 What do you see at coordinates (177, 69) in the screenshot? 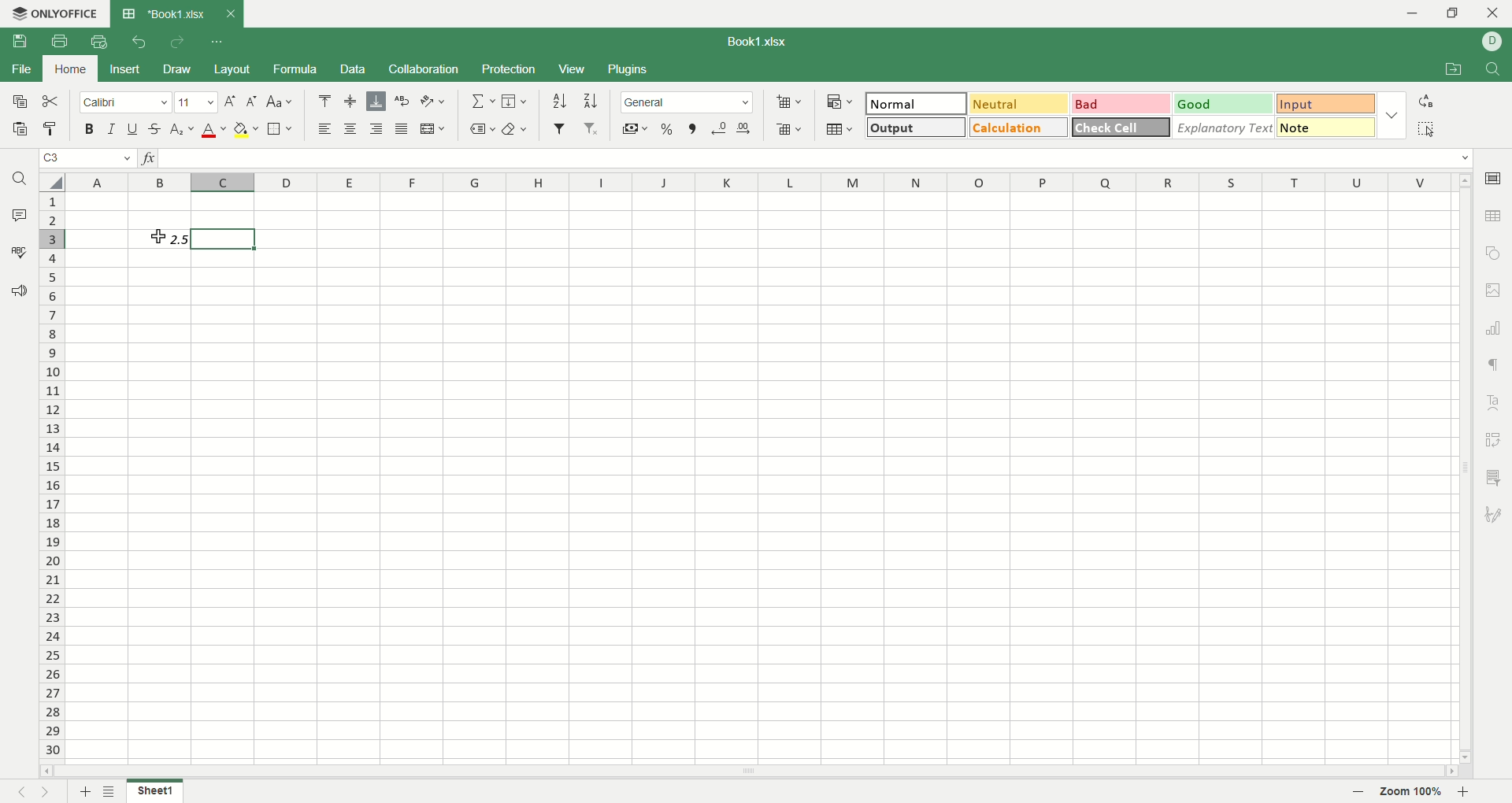
I see `draw` at bounding box center [177, 69].